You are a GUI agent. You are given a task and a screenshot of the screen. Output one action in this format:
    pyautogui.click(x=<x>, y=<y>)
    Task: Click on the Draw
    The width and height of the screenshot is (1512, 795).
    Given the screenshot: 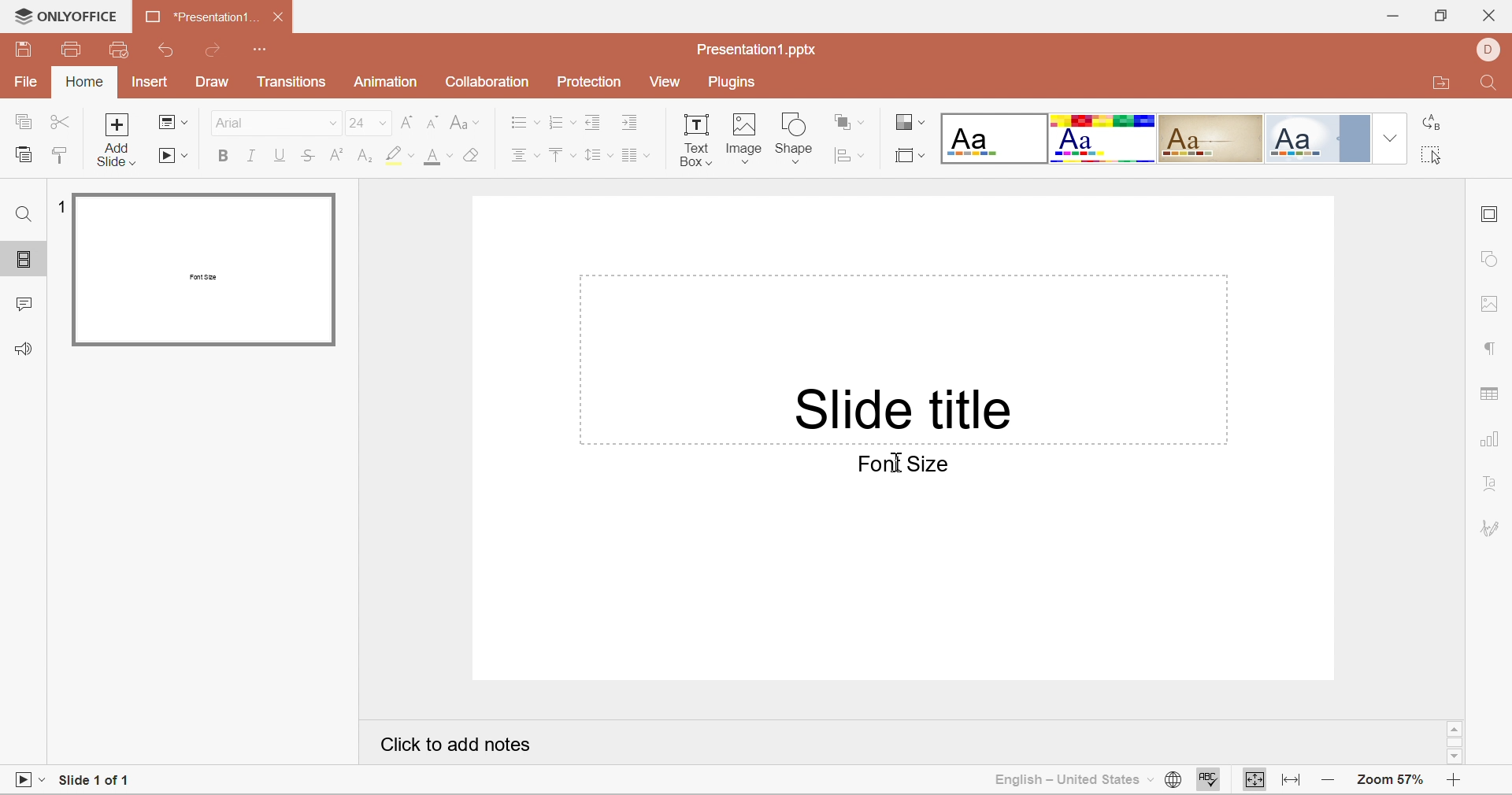 What is the action you would take?
    pyautogui.click(x=214, y=83)
    